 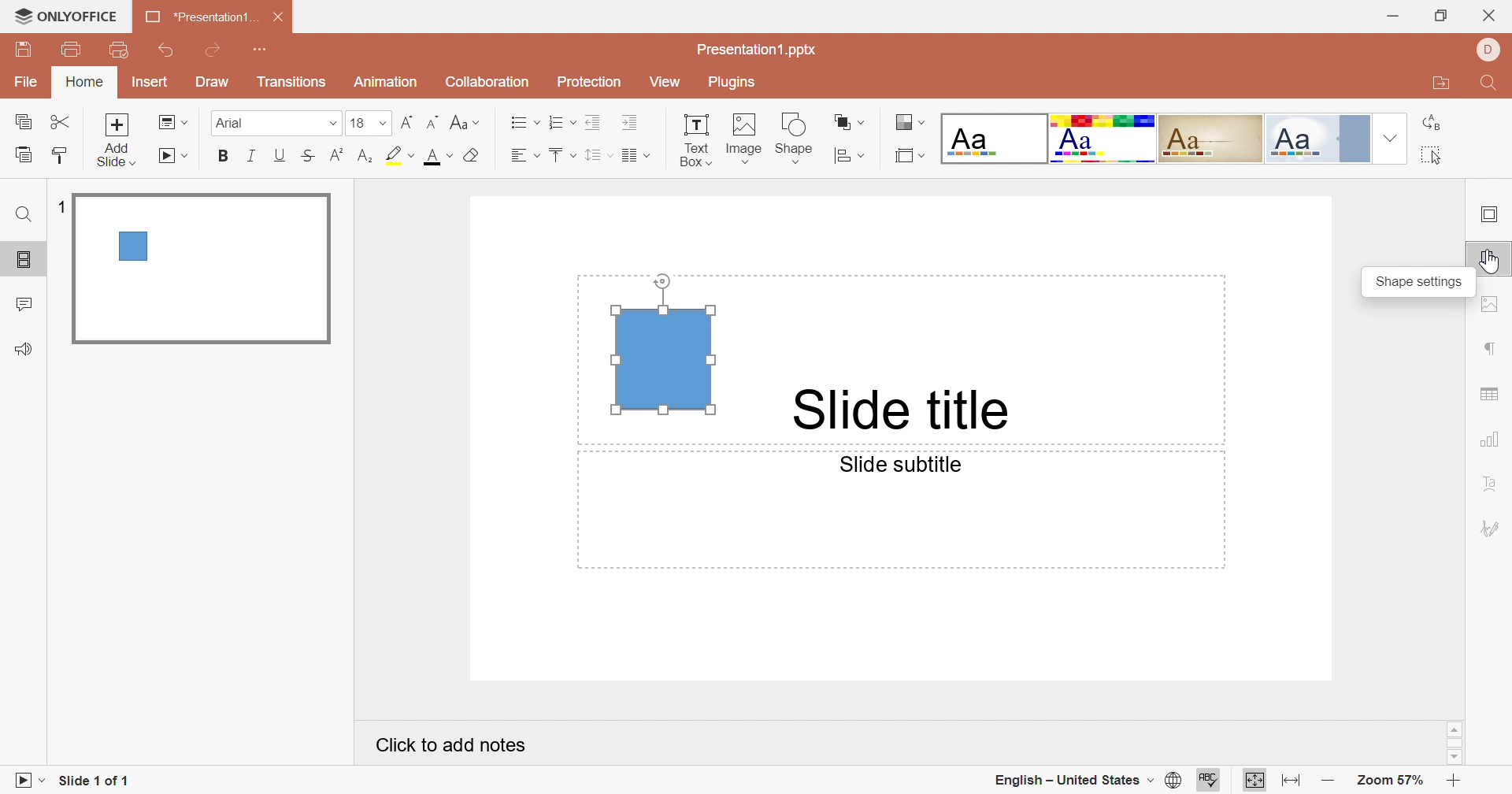 What do you see at coordinates (1492, 216) in the screenshot?
I see `Slide settings` at bounding box center [1492, 216].